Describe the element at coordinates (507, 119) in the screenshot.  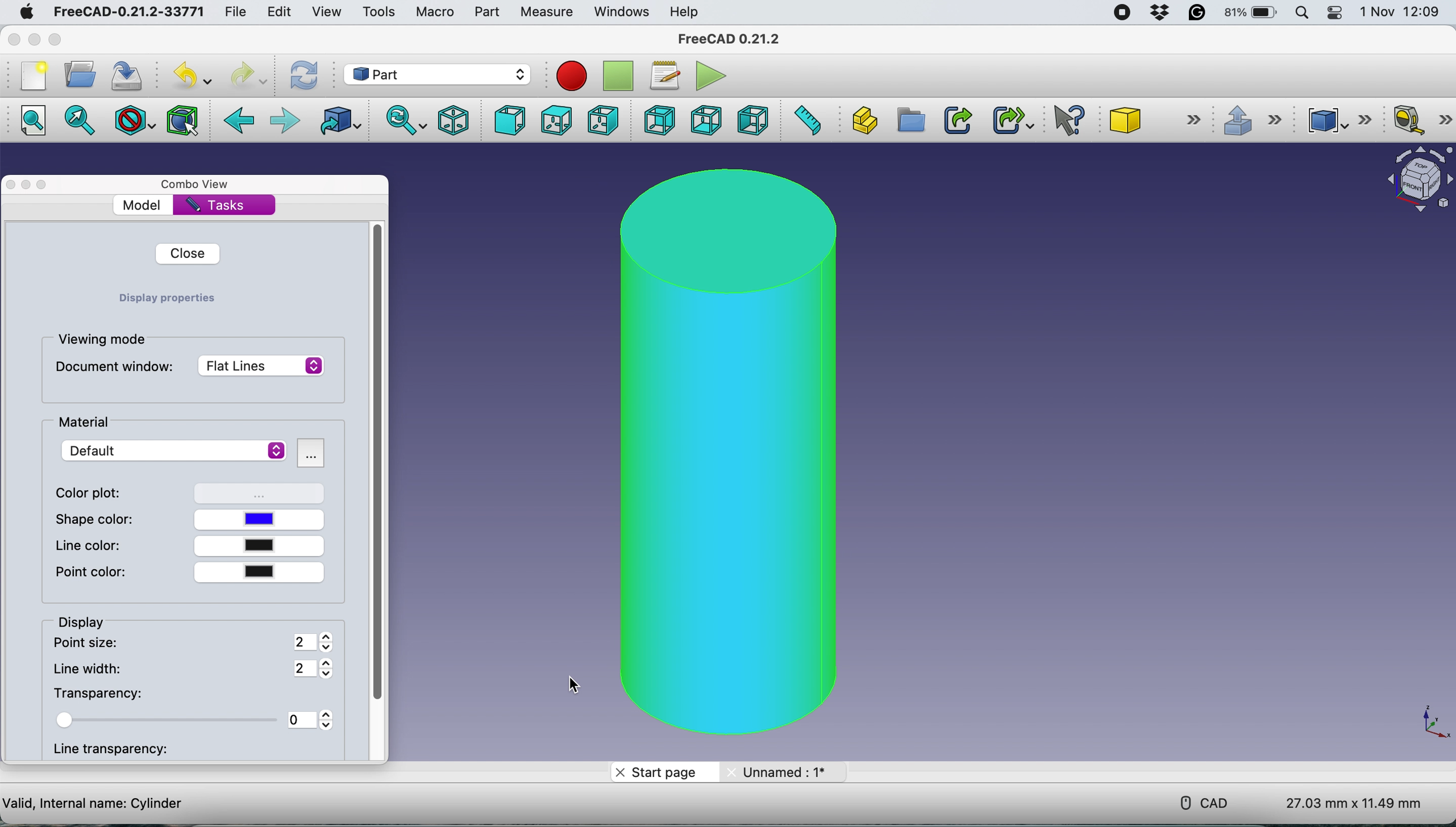
I see `front` at that location.